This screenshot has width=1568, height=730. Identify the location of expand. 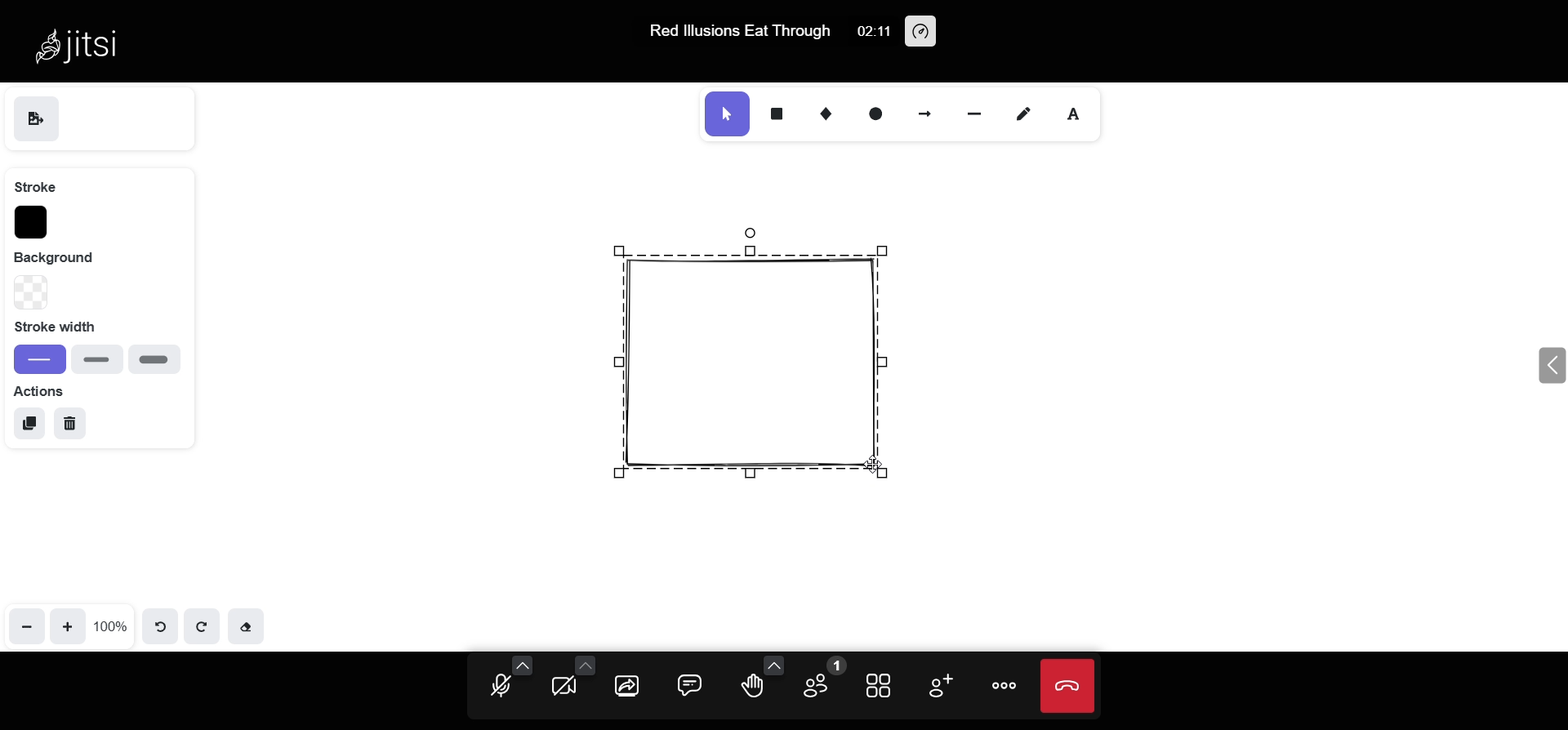
(1548, 367).